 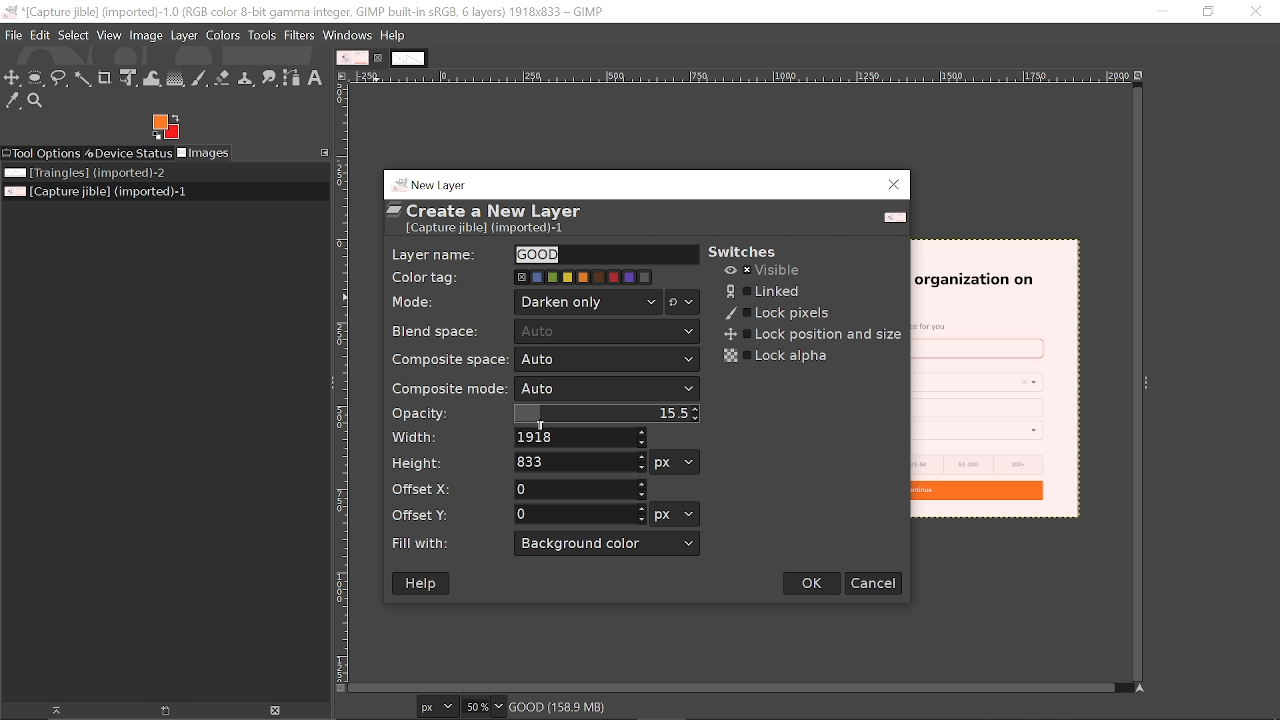 What do you see at coordinates (813, 584) in the screenshot?
I see `Ok` at bounding box center [813, 584].